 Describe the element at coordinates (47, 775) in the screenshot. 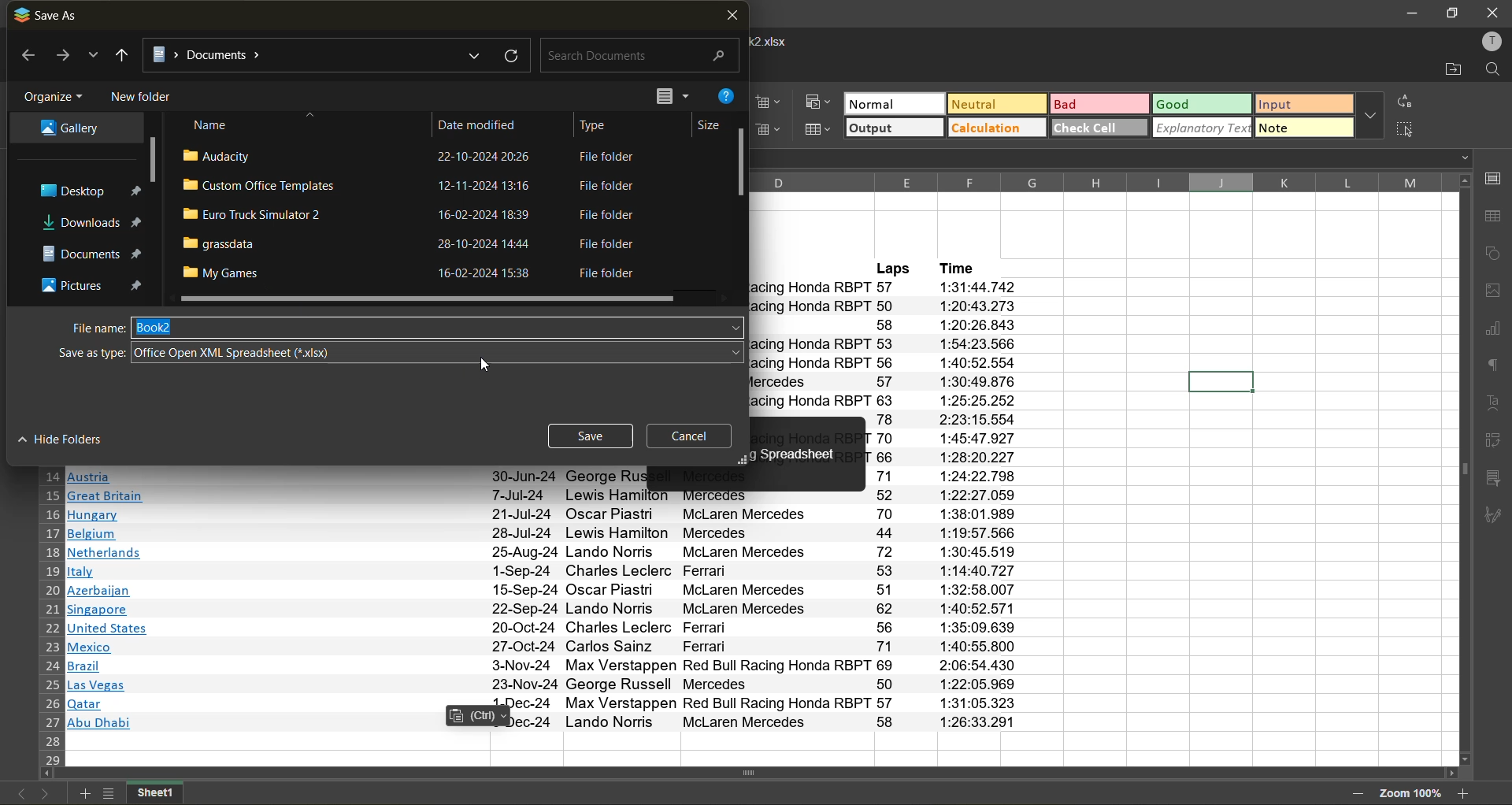

I see `move left` at that location.